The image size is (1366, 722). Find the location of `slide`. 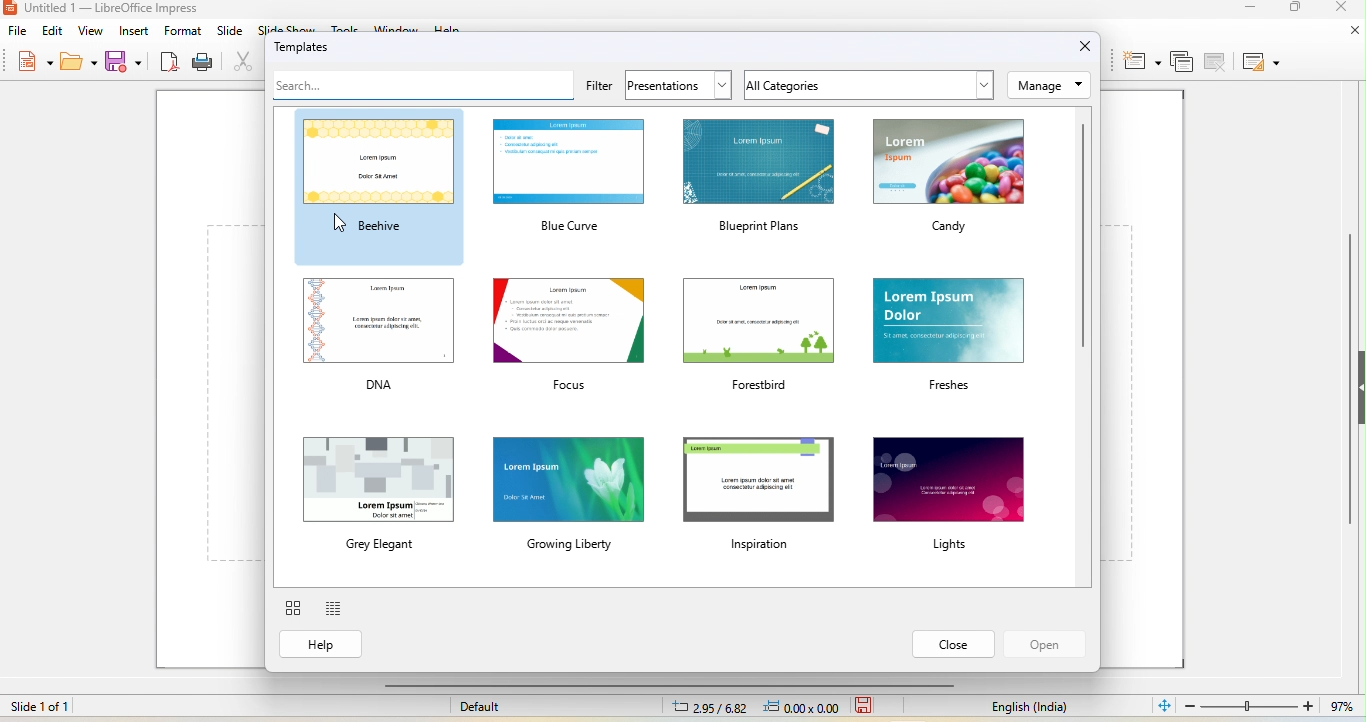

slide is located at coordinates (231, 31).